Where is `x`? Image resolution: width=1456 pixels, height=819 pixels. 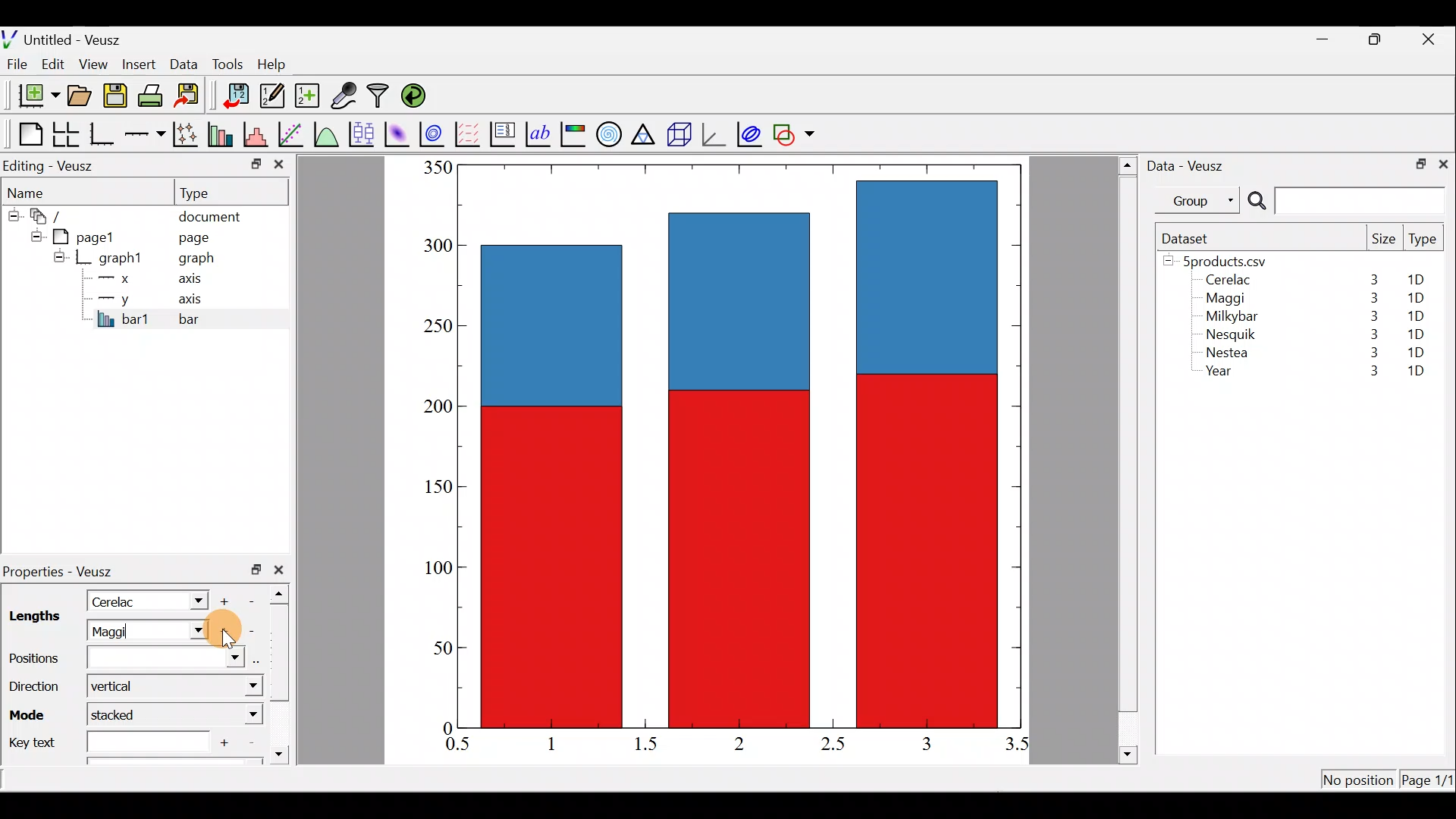 x is located at coordinates (118, 278).